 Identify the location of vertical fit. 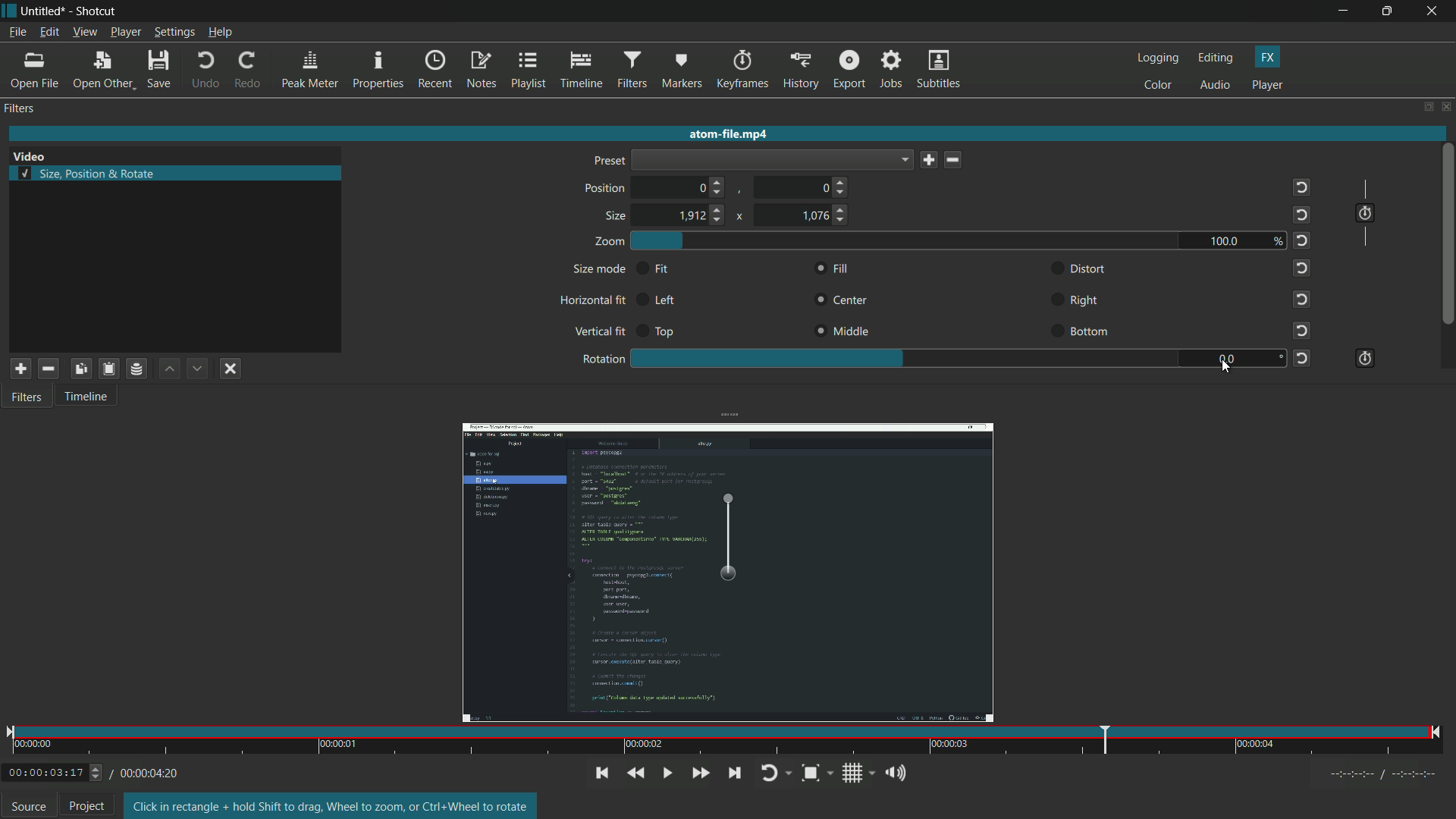
(598, 332).